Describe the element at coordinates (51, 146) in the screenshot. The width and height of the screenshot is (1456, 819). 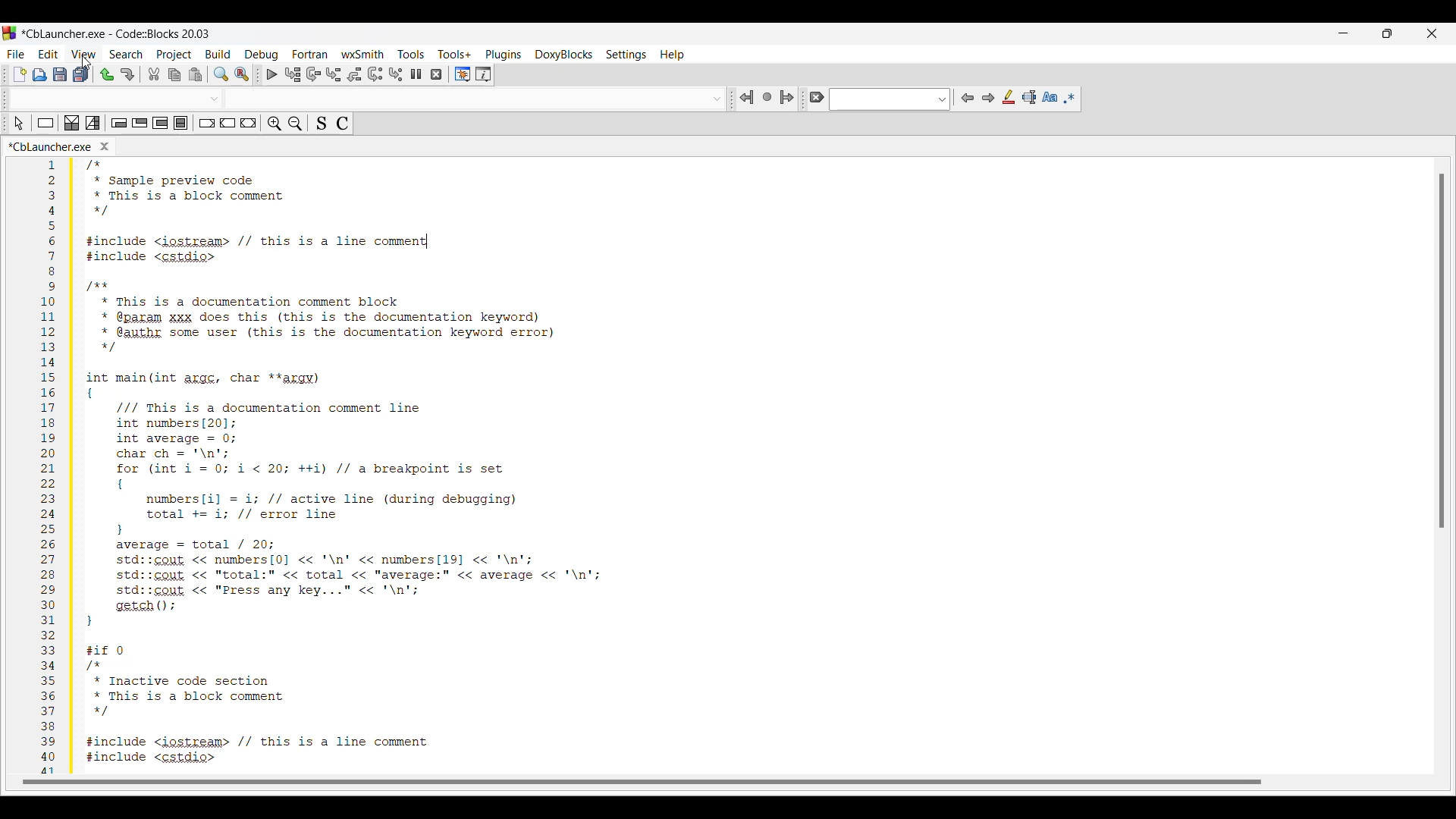
I see `Current tab` at that location.